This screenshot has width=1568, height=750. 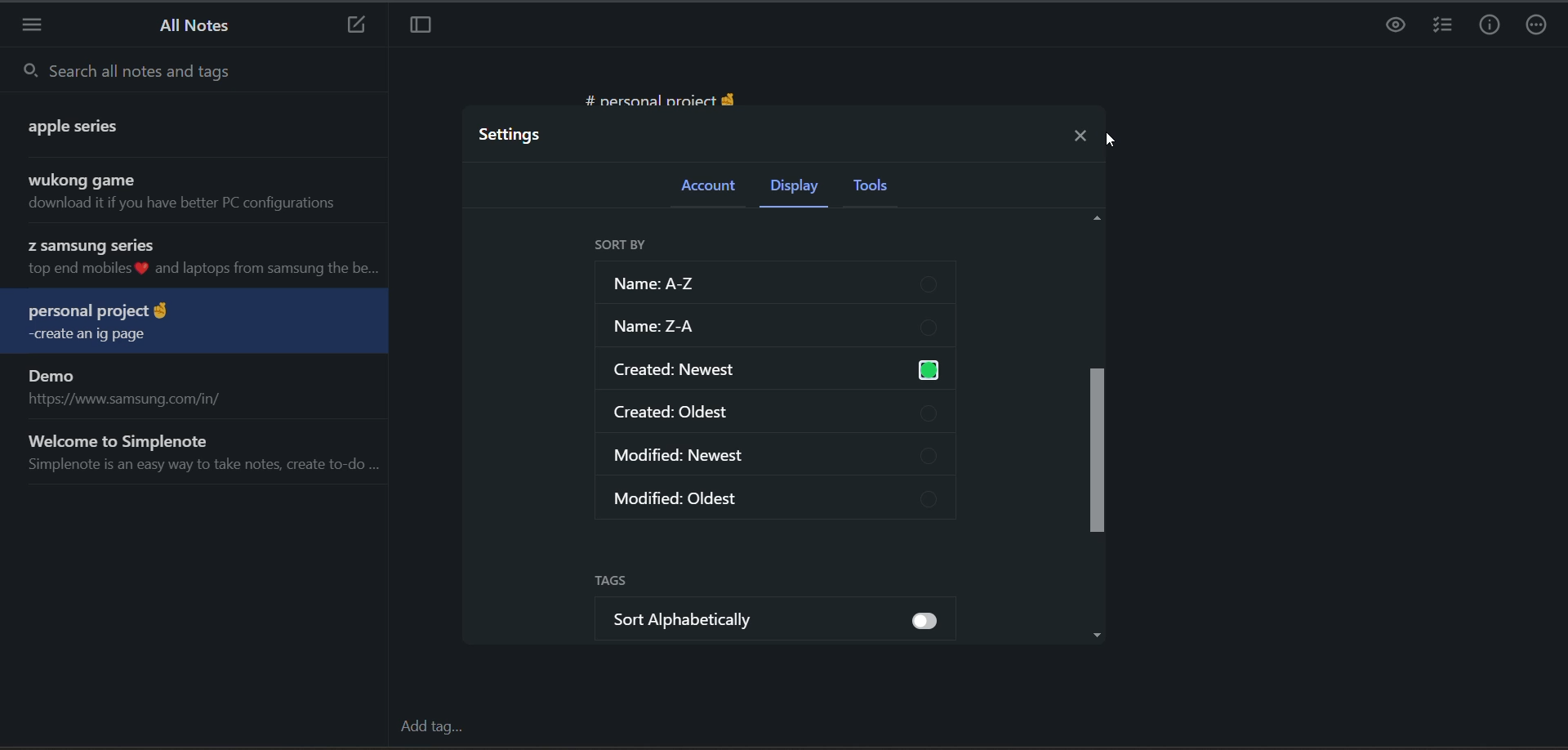 I want to click on settings, so click(x=517, y=137).